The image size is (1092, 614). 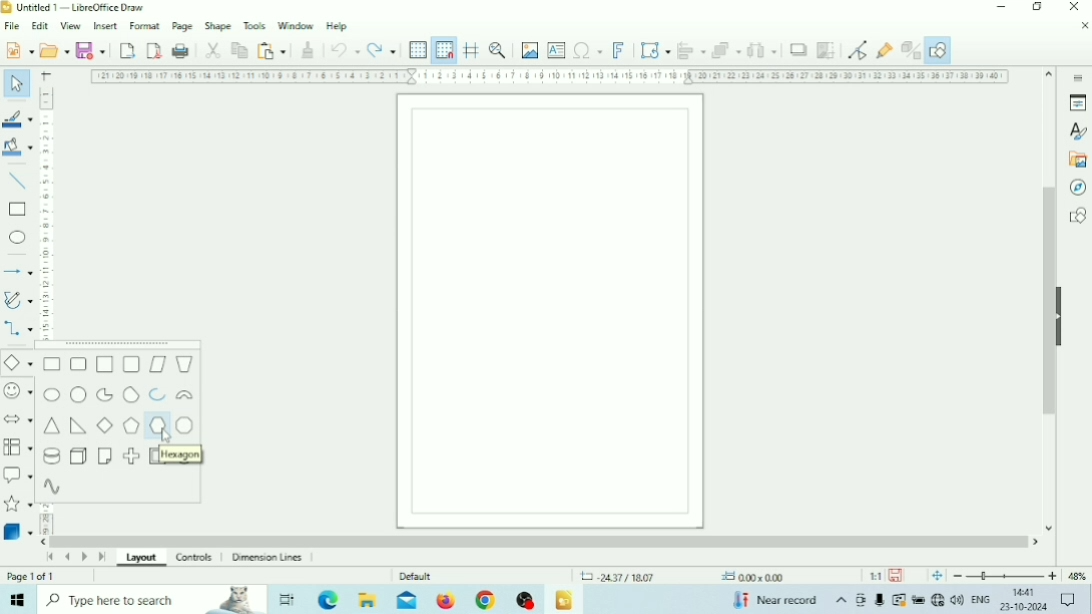 I want to click on Hexagon, so click(x=182, y=455).